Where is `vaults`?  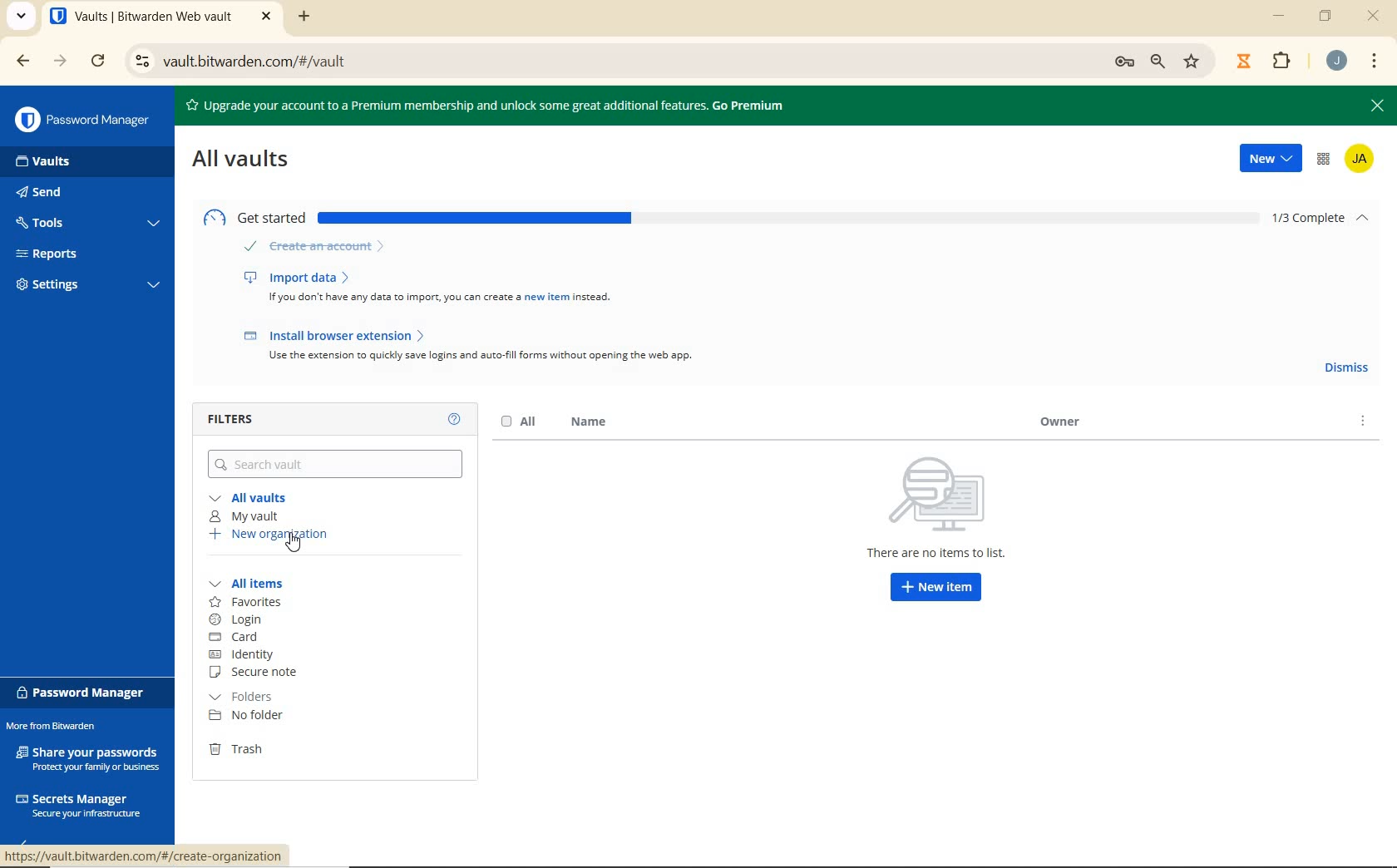
vaults is located at coordinates (57, 162).